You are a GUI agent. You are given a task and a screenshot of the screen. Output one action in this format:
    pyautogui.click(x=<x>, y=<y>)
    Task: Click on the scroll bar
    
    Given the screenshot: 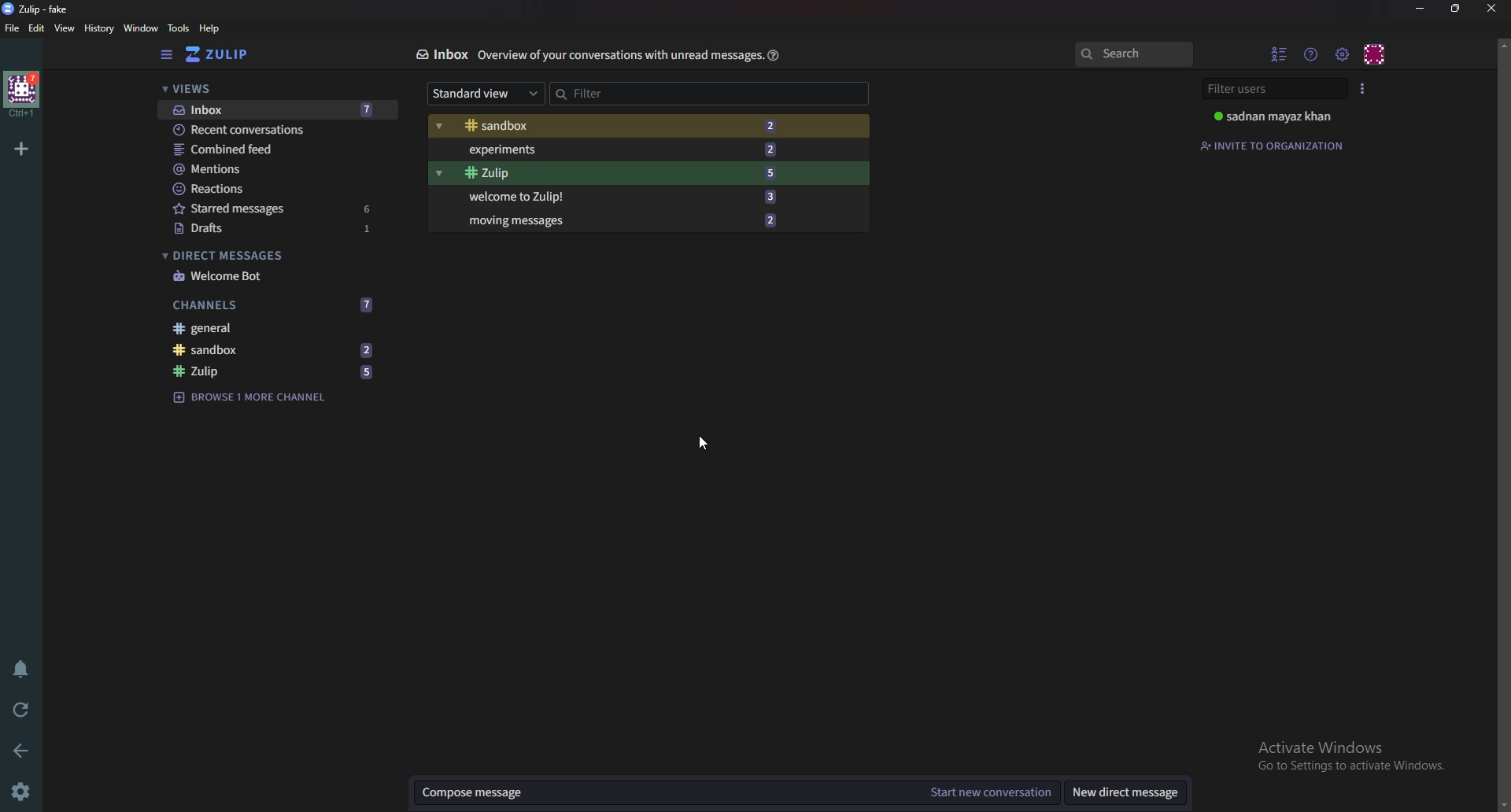 What is the action you would take?
    pyautogui.click(x=1502, y=423)
    